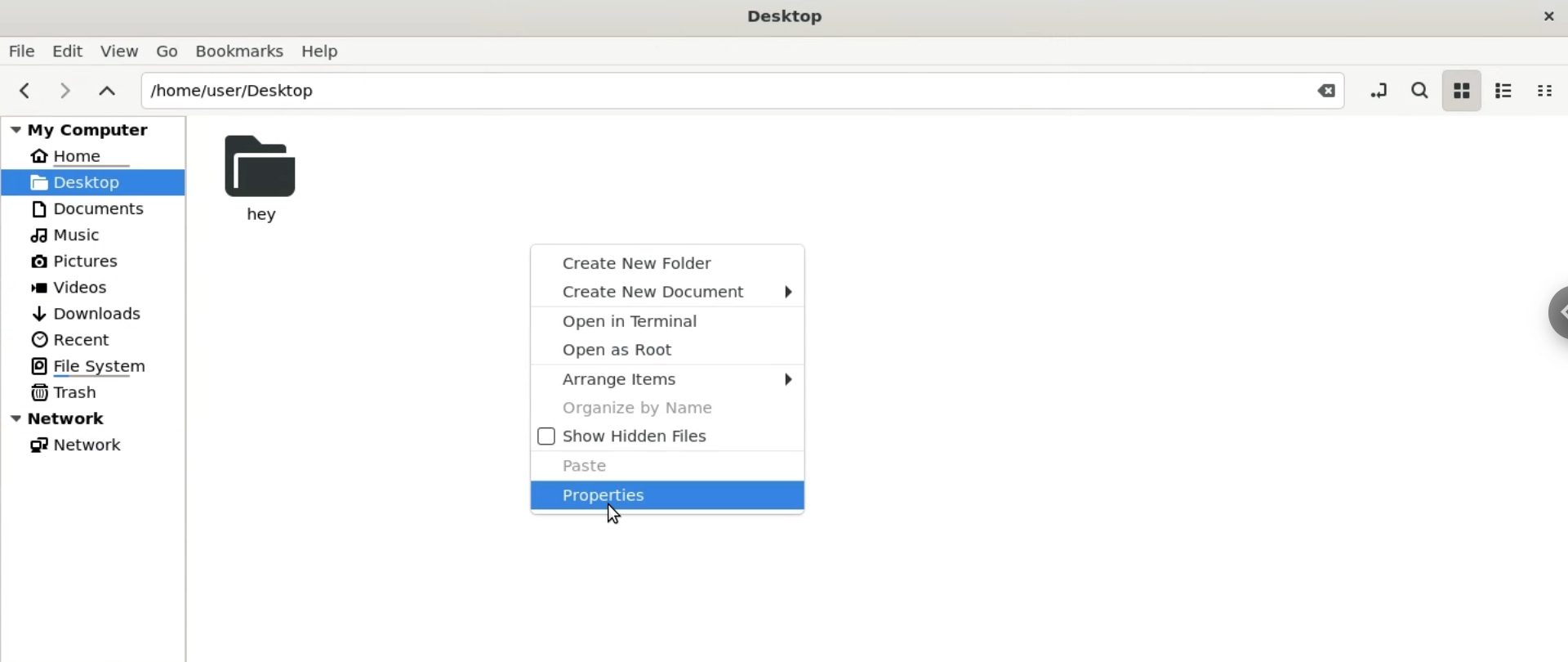  What do you see at coordinates (1512, 92) in the screenshot?
I see `list view` at bounding box center [1512, 92].